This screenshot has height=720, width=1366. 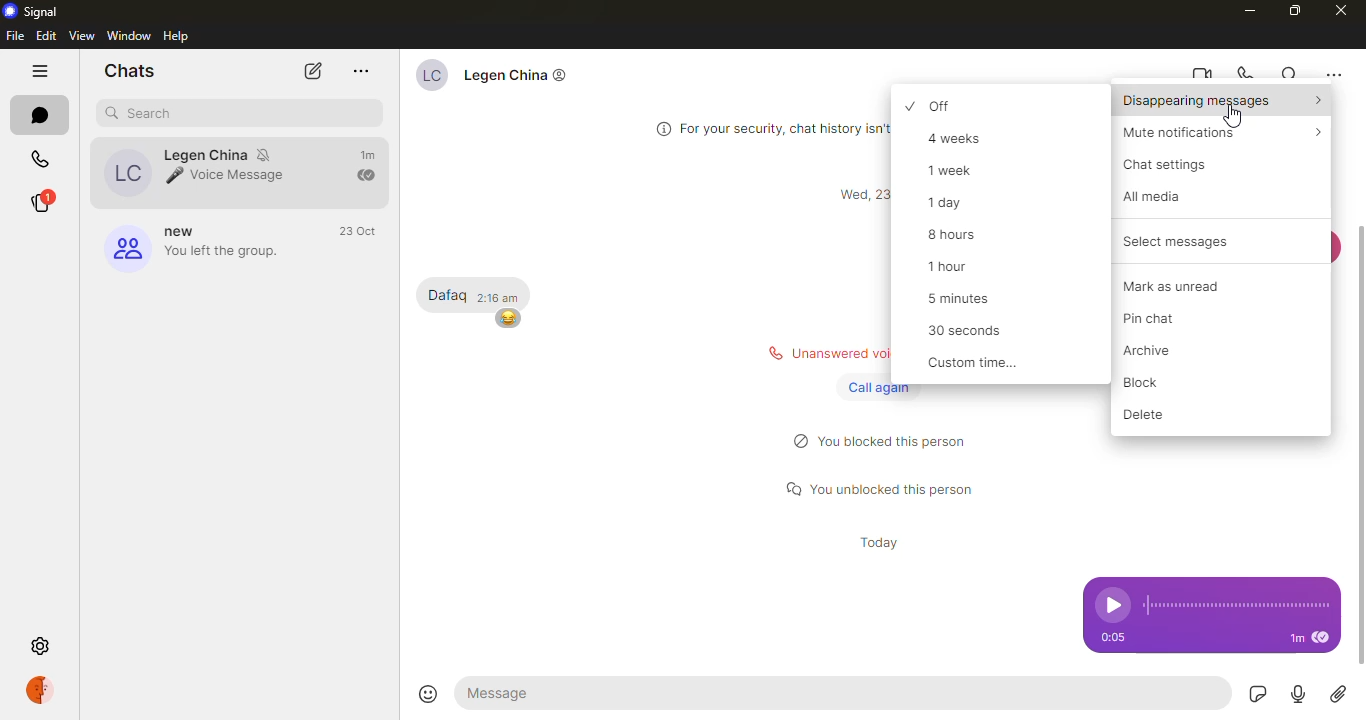 What do you see at coordinates (134, 70) in the screenshot?
I see `chats` at bounding box center [134, 70].